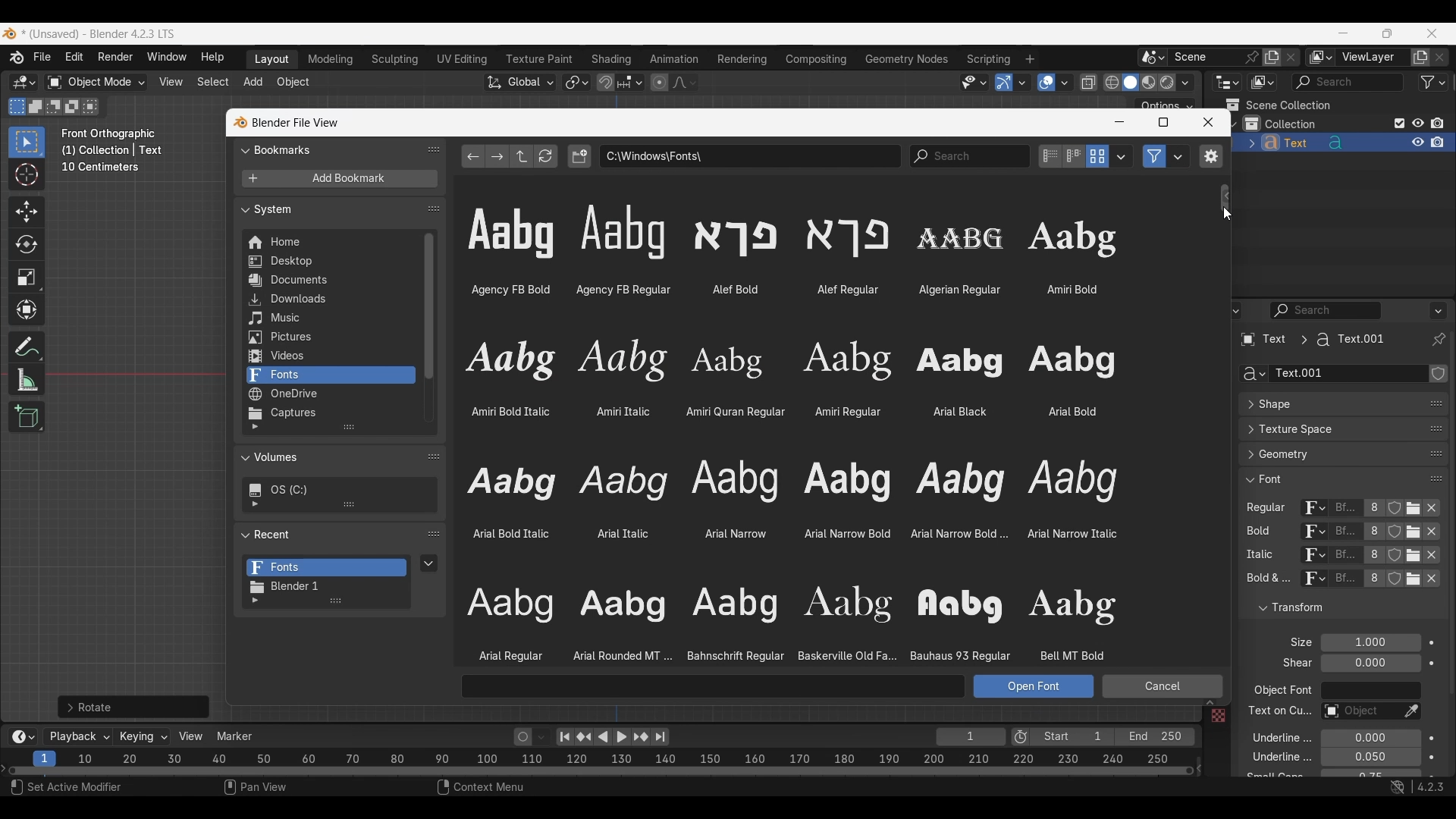 The image size is (1456, 819). I want to click on Refresh file list, so click(546, 156).